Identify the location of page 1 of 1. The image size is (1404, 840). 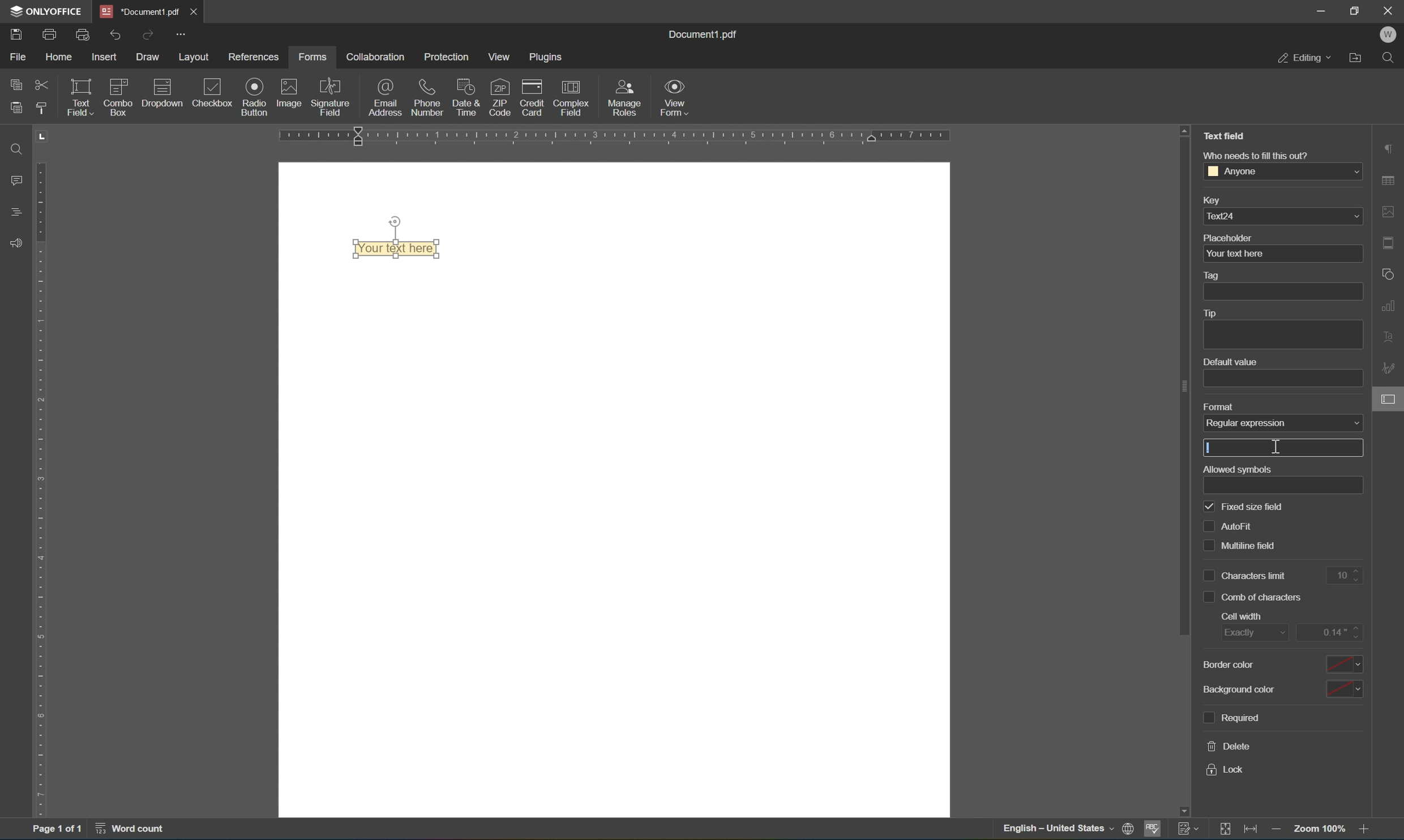
(55, 830).